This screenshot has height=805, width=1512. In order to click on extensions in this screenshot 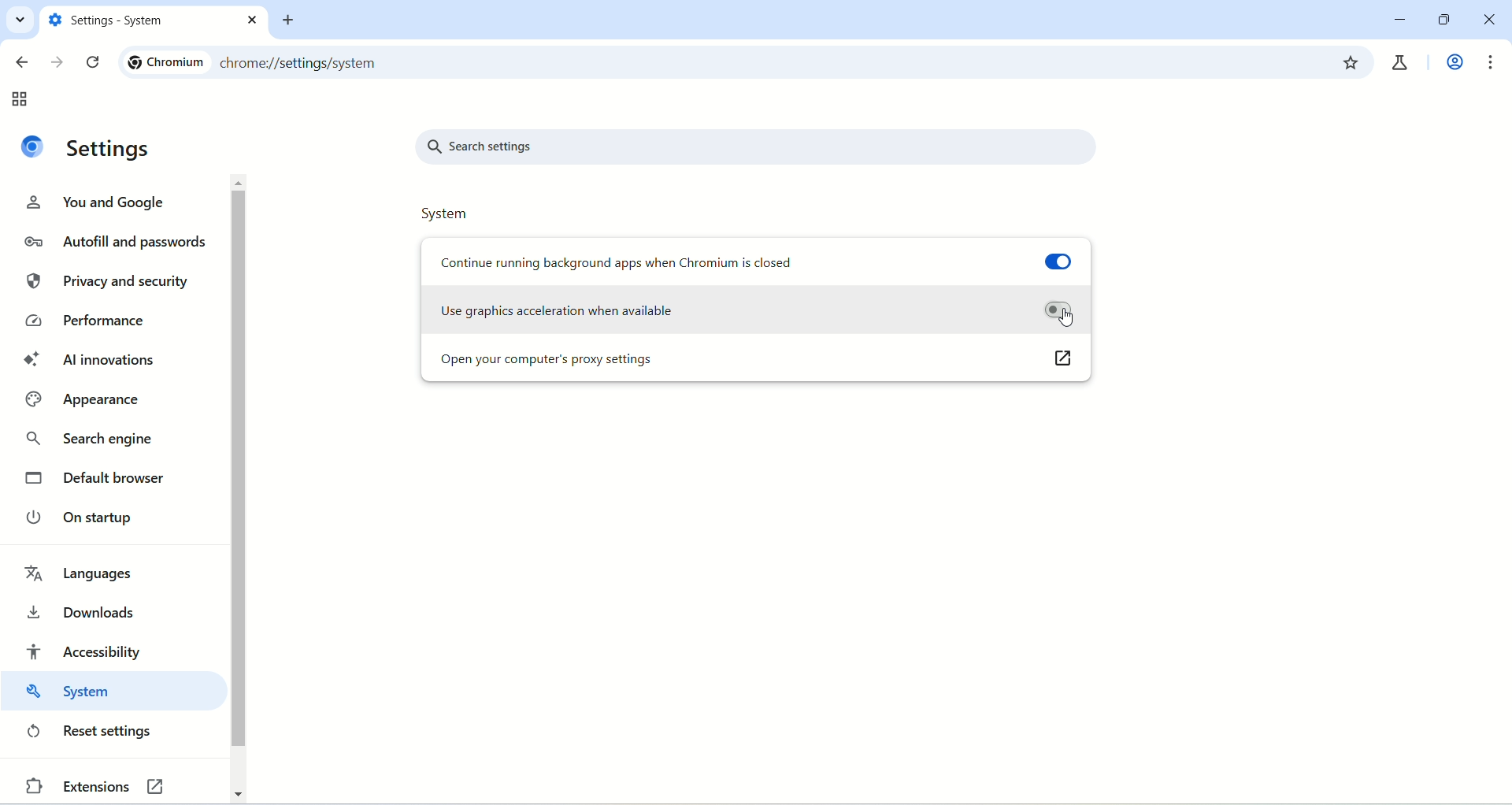, I will do `click(76, 789)`.